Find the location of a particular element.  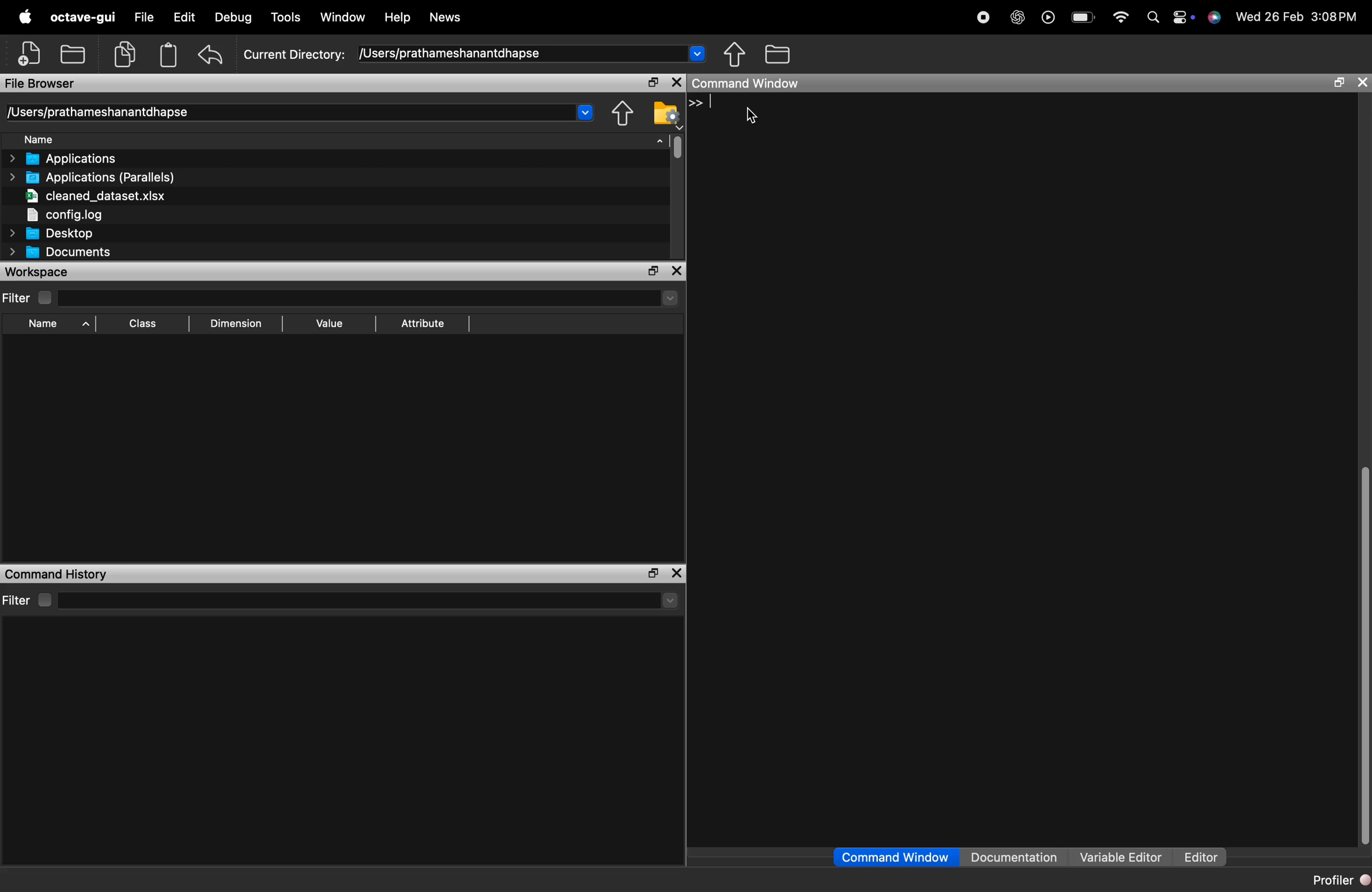

Documents is located at coordinates (58, 252).